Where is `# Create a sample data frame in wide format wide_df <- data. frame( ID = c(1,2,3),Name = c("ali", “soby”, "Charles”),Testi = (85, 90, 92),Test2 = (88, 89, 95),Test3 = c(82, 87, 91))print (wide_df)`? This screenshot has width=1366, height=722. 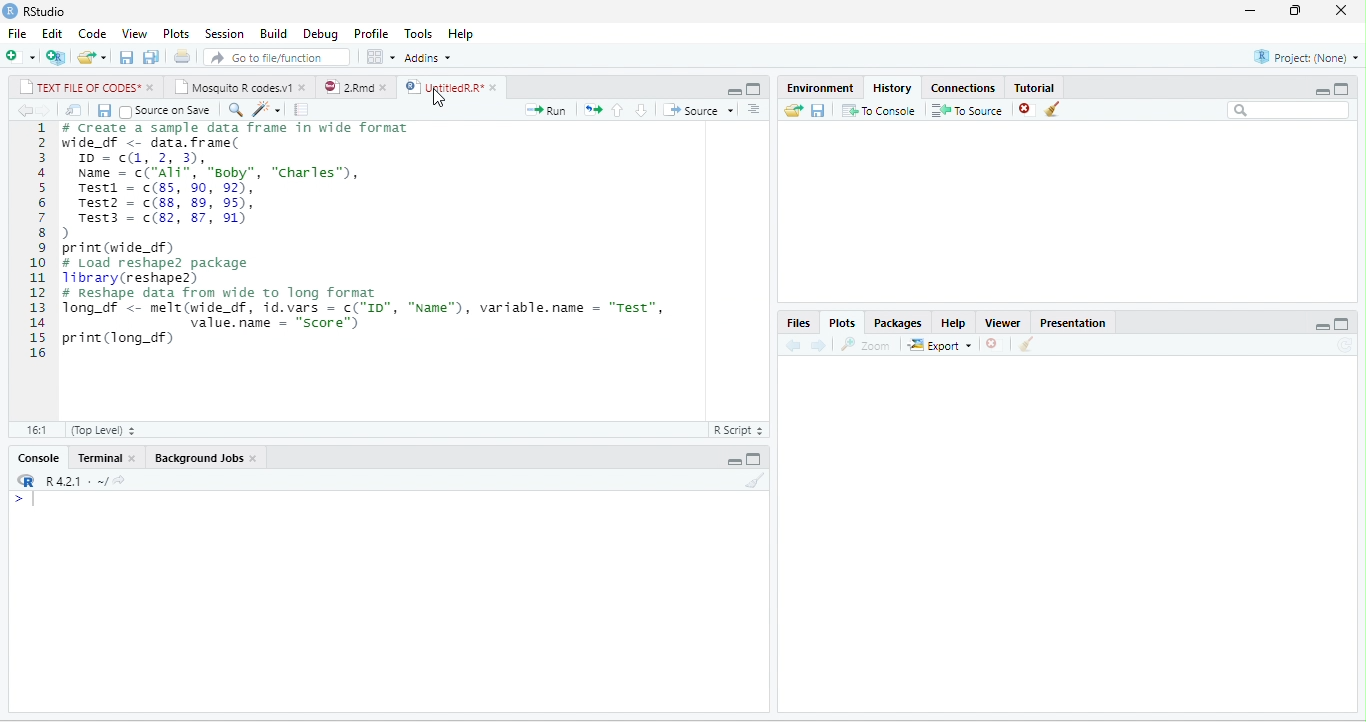
# Create a sample data frame in wide format wide_df <- data. frame( ID = c(1,2,3),Name = c("ali", “soby”, "Charles”),Testi = (85, 90, 92),Test2 = (88, 89, 95),Test3 = c(82, 87, 91))print (wide_df) is located at coordinates (235, 188).